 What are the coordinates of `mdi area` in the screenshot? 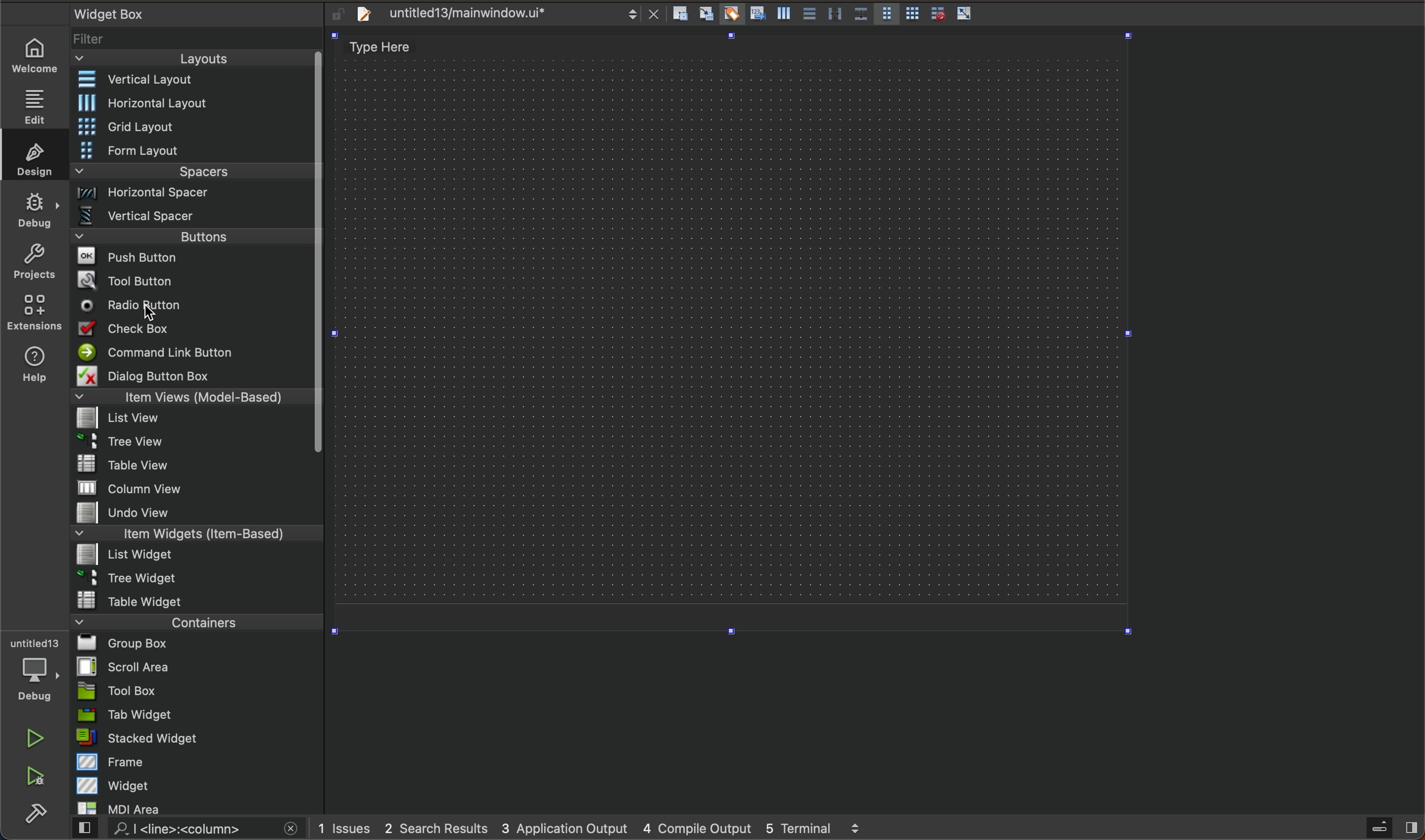 It's located at (196, 806).